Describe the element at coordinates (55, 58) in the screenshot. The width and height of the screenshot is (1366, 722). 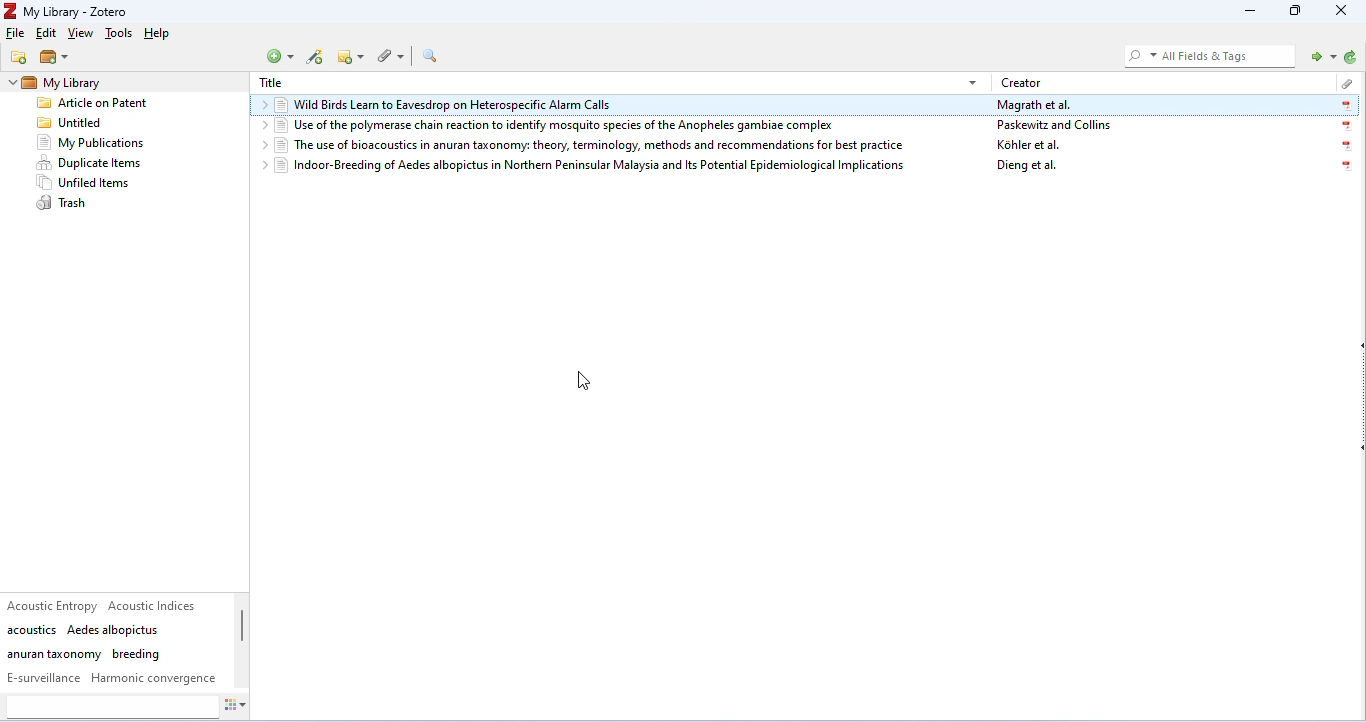
I see `new library` at that location.